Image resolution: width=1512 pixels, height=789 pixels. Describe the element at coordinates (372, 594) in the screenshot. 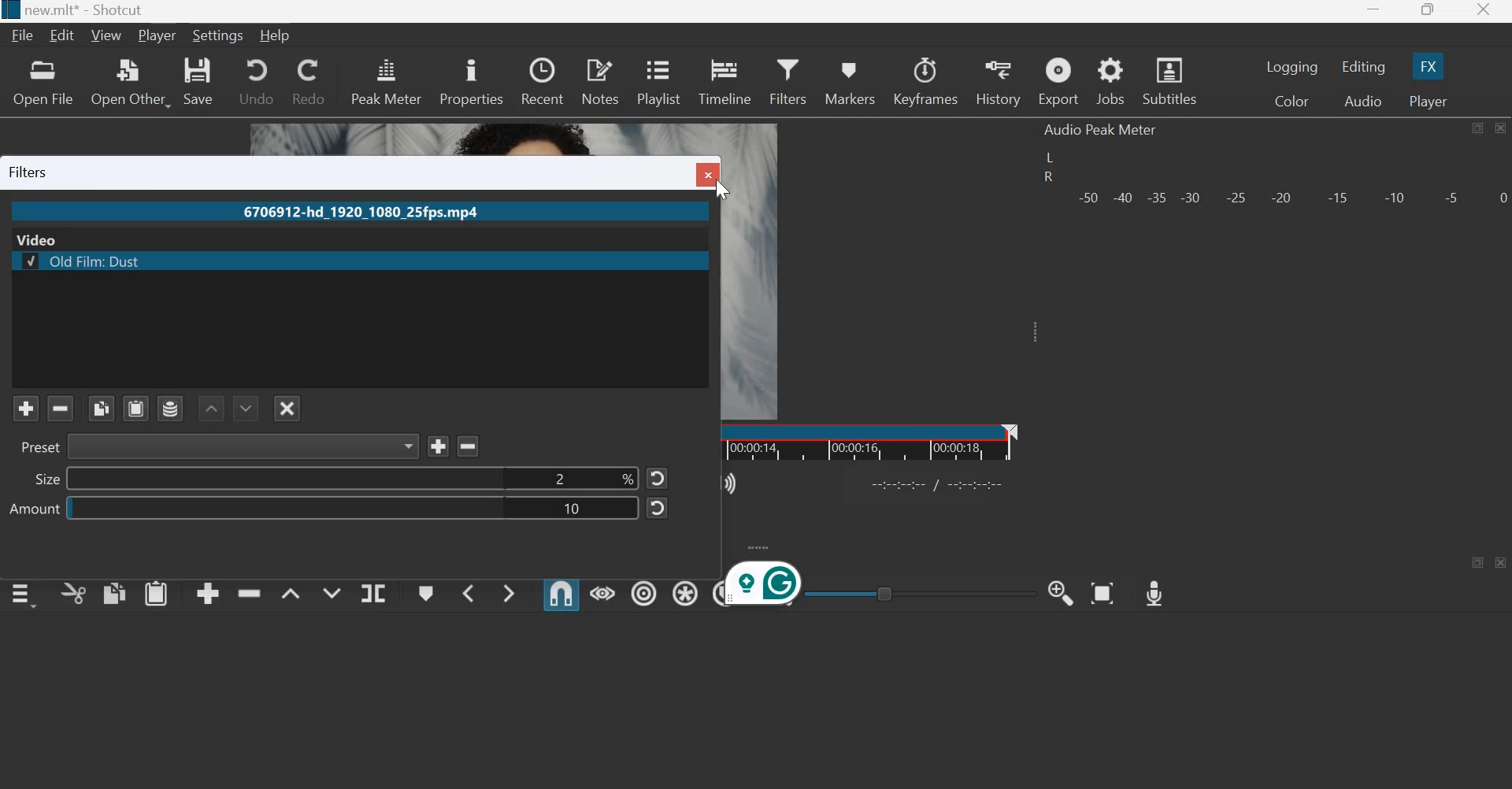

I see `Split at playhead` at that location.